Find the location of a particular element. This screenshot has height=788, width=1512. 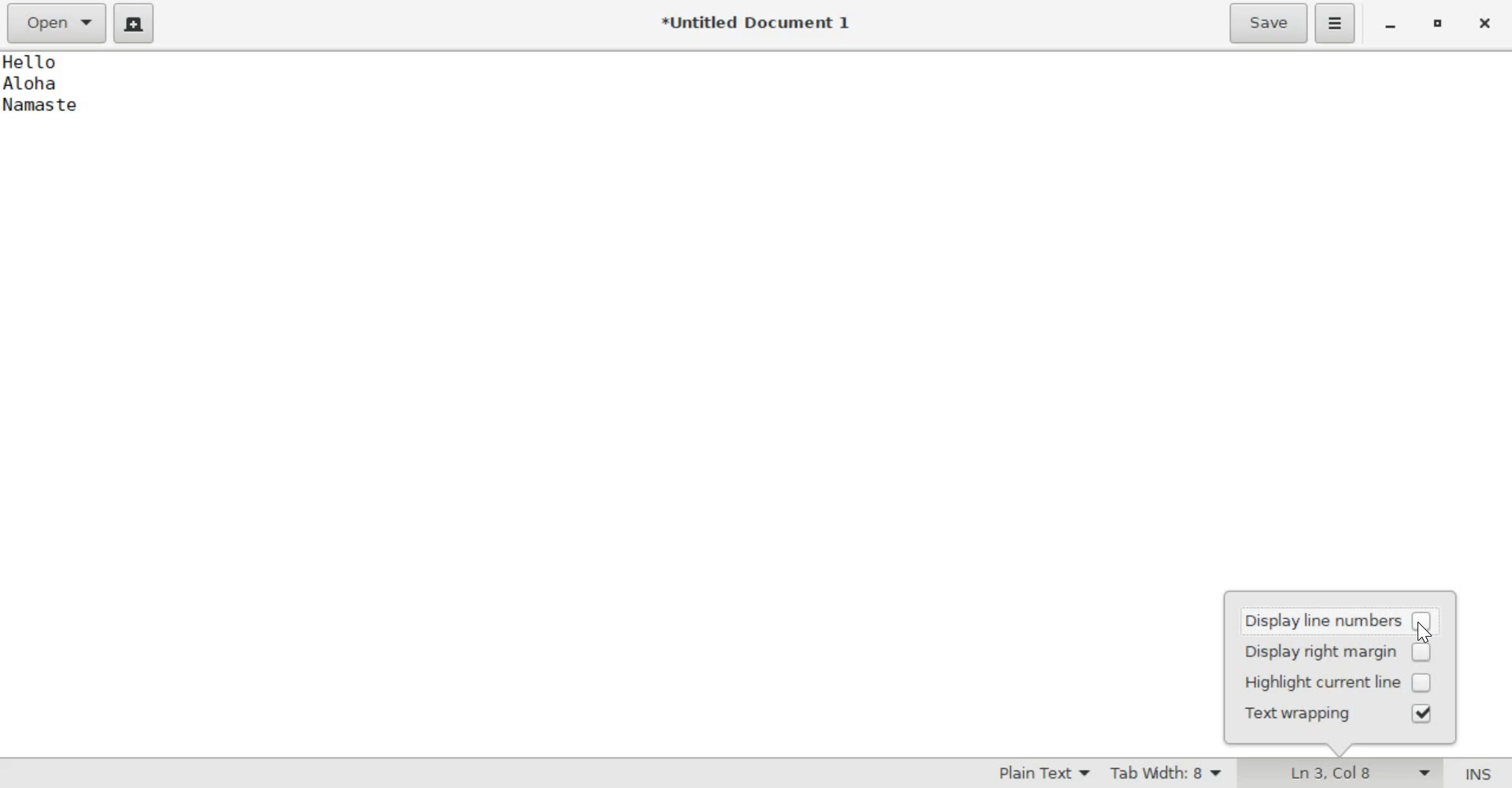

Application menu is located at coordinates (1336, 22).